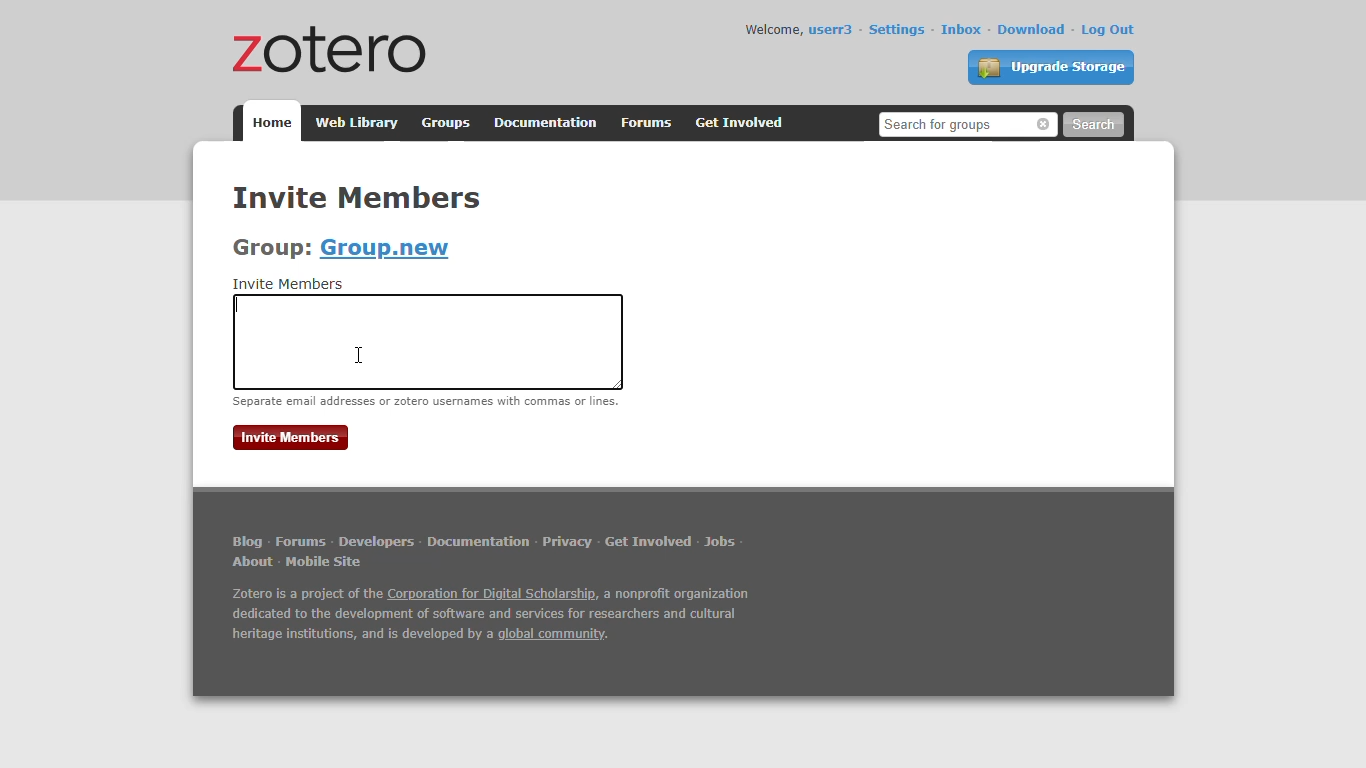 The width and height of the screenshot is (1366, 768). What do you see at coordinates (359, 355) in the screenshot?
I see `cursor` at bounding box center [359, 355].